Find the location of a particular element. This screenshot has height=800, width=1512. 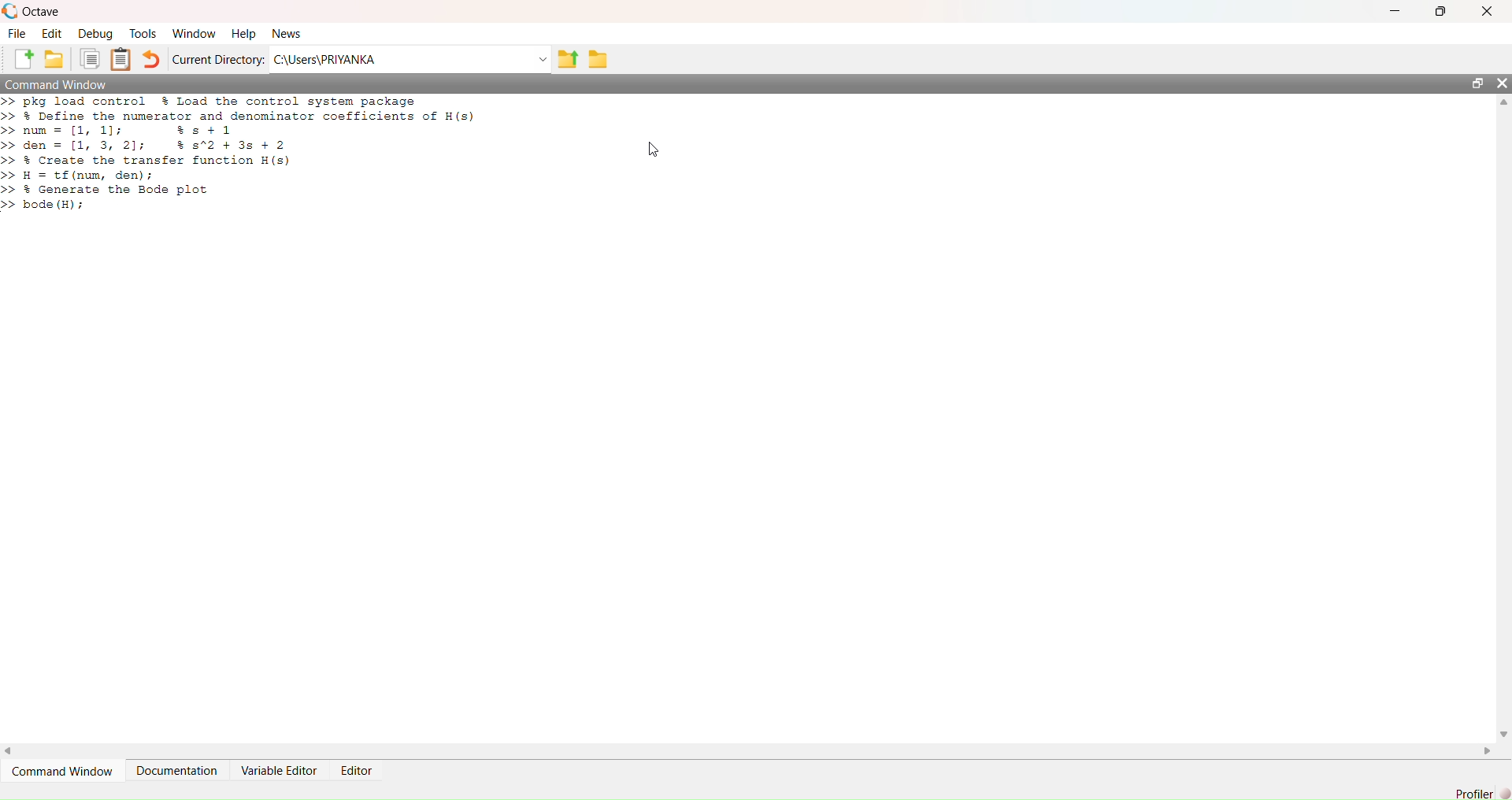

cursor is located at coordinates (653, 150).